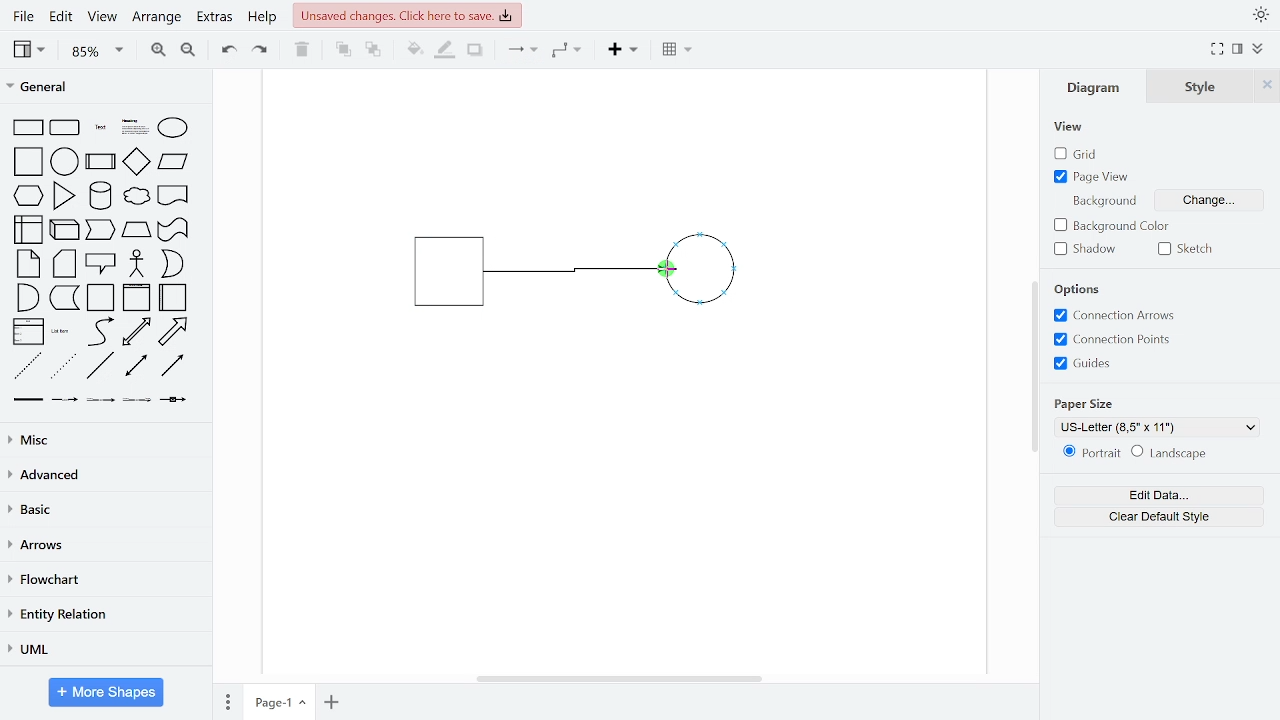 This screenshot has height=720, width=1280. I want to click on clear default style, so click(1160, 517).